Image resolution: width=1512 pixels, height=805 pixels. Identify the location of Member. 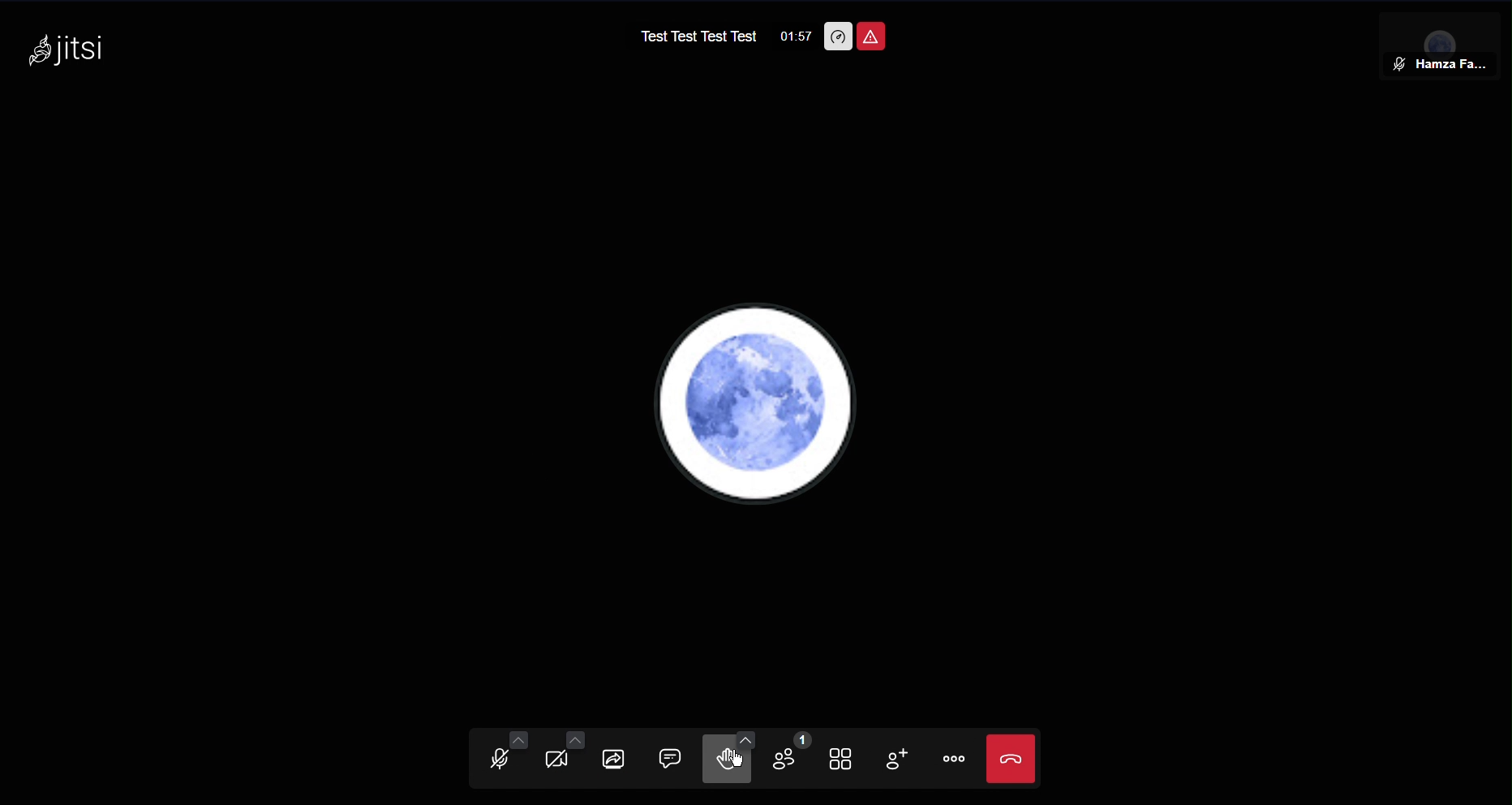
(1439, 50).